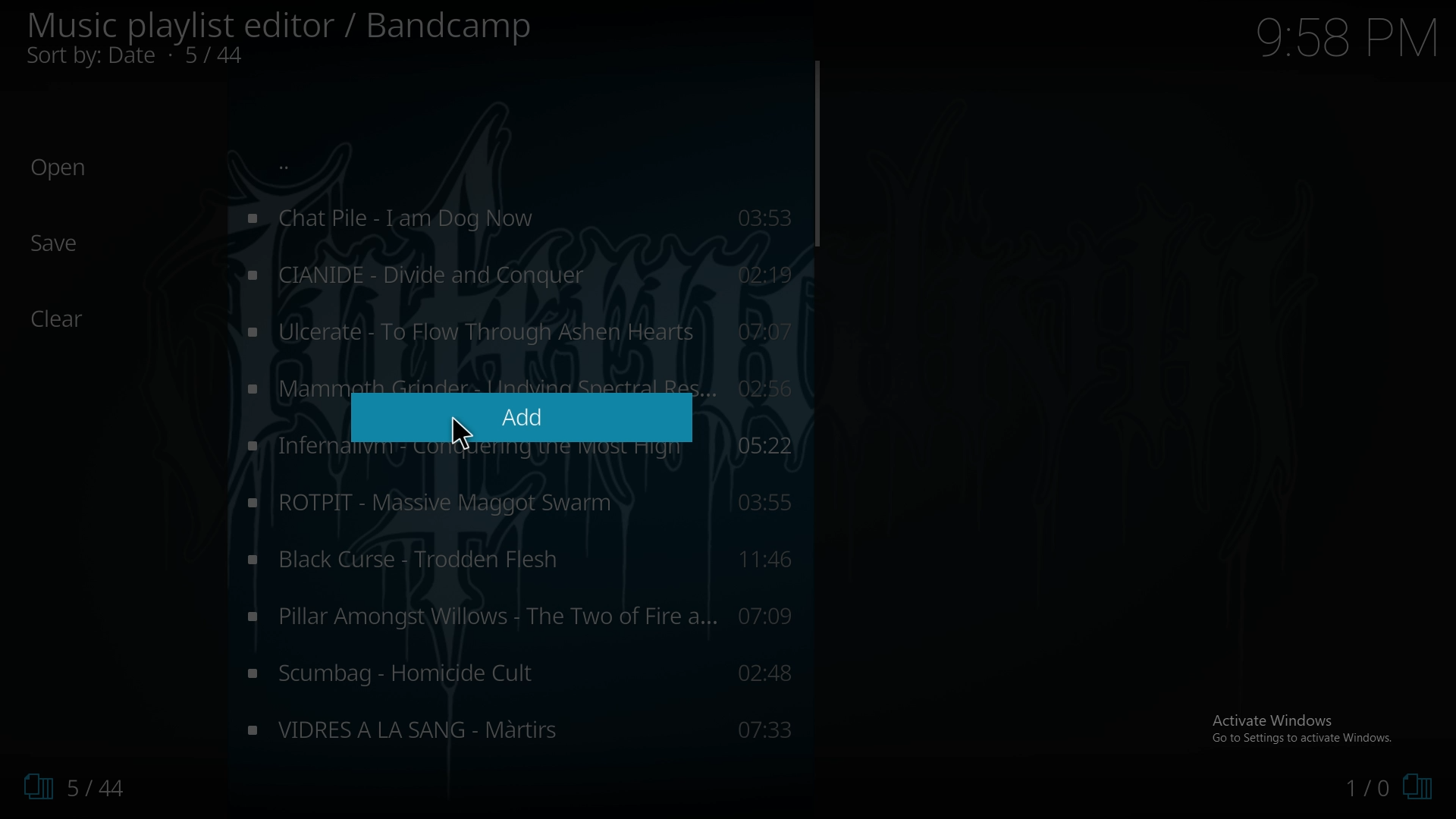 This screenshot has width=1456, height=819. I want to click on Save, so click(57, 243).